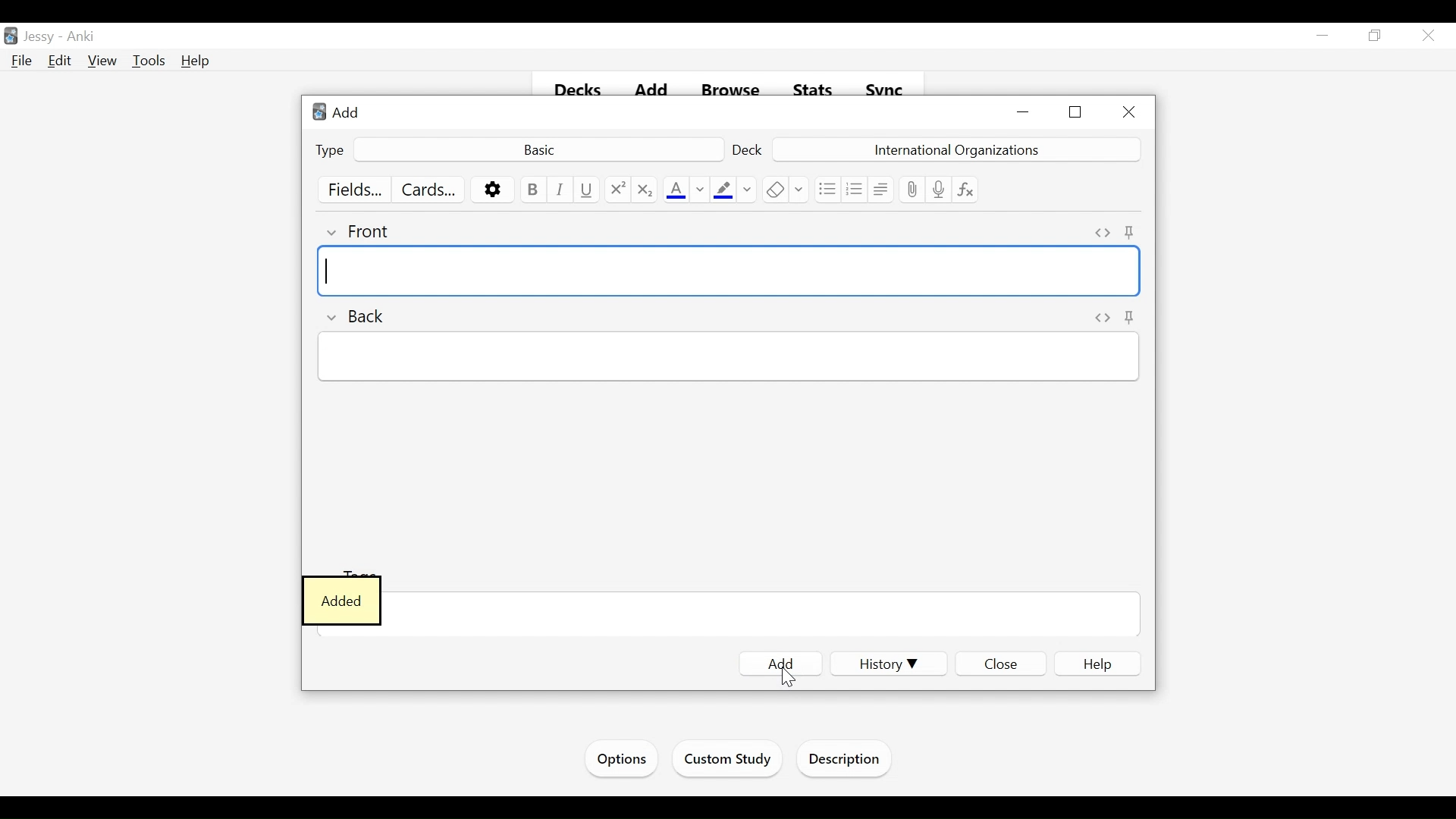 This screenshot has height=819, width=1456. What do you see at coordinates (811, 88) in the screenshot?
I see `Stats` at bounding box center [811, 88].